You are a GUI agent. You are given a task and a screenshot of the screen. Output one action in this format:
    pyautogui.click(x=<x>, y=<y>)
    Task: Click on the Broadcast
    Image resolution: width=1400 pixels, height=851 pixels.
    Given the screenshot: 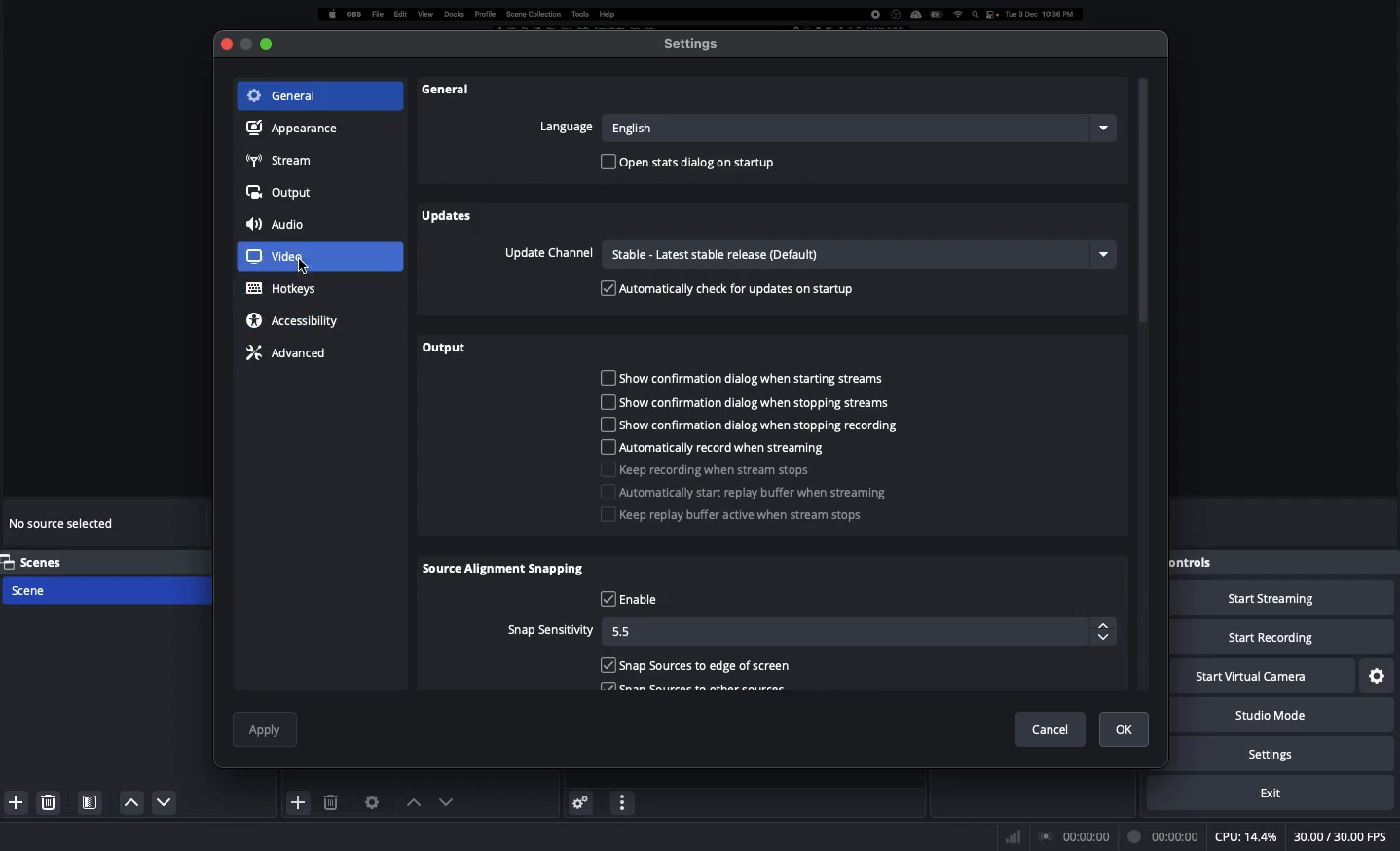 What is the action you would take?
    pyautogui.click(x=1076, y=836)
    